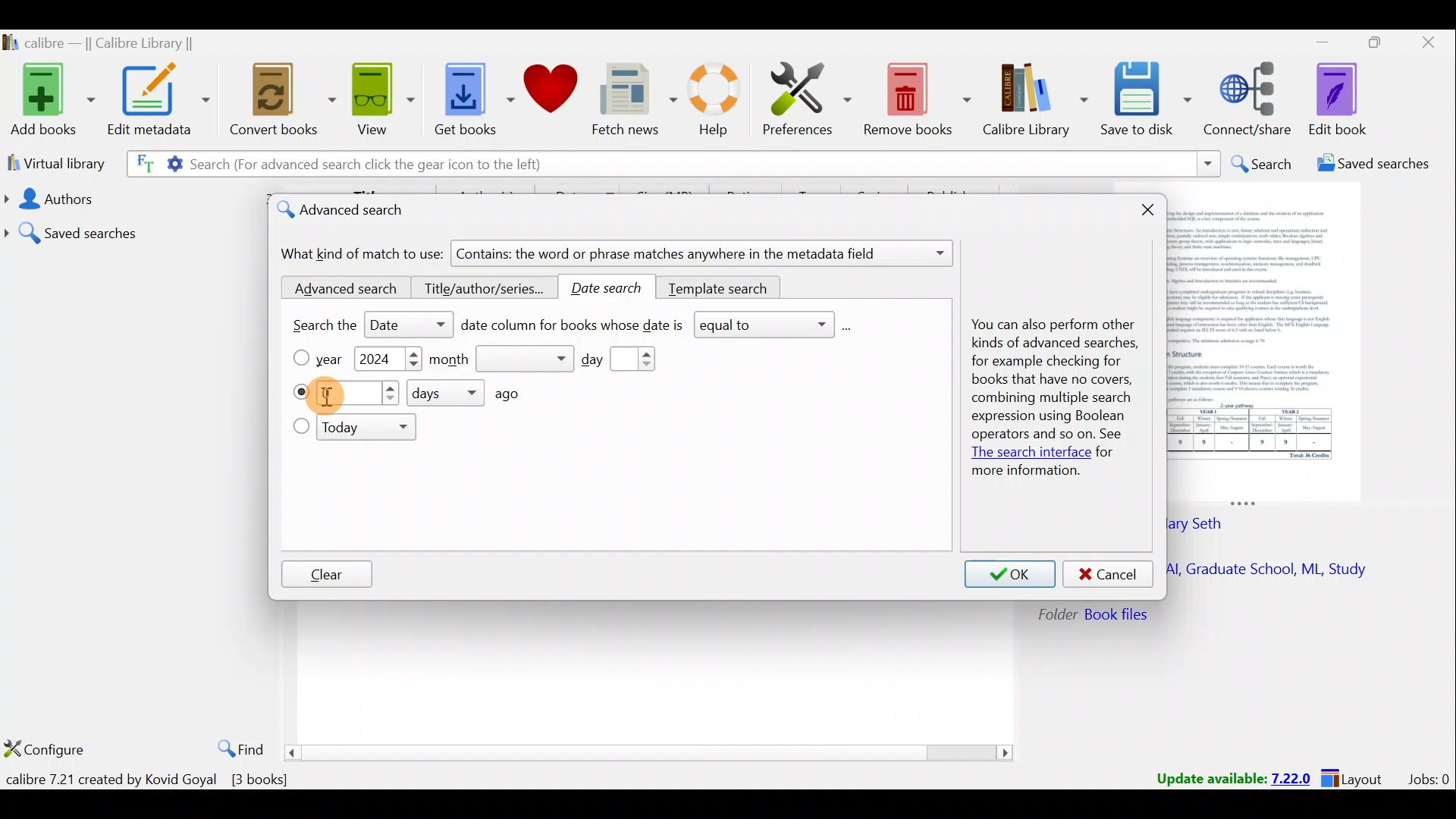 Image resolution: width=1456 pixels, height=819 pixels. Describe the element at coordinates (1050, 382) in the screenshot. I see `You can also perform other kinds of advanced searches, for example checking for books that have no covers, combining multiple search expression using Boolean operators and so on. See` at that location.